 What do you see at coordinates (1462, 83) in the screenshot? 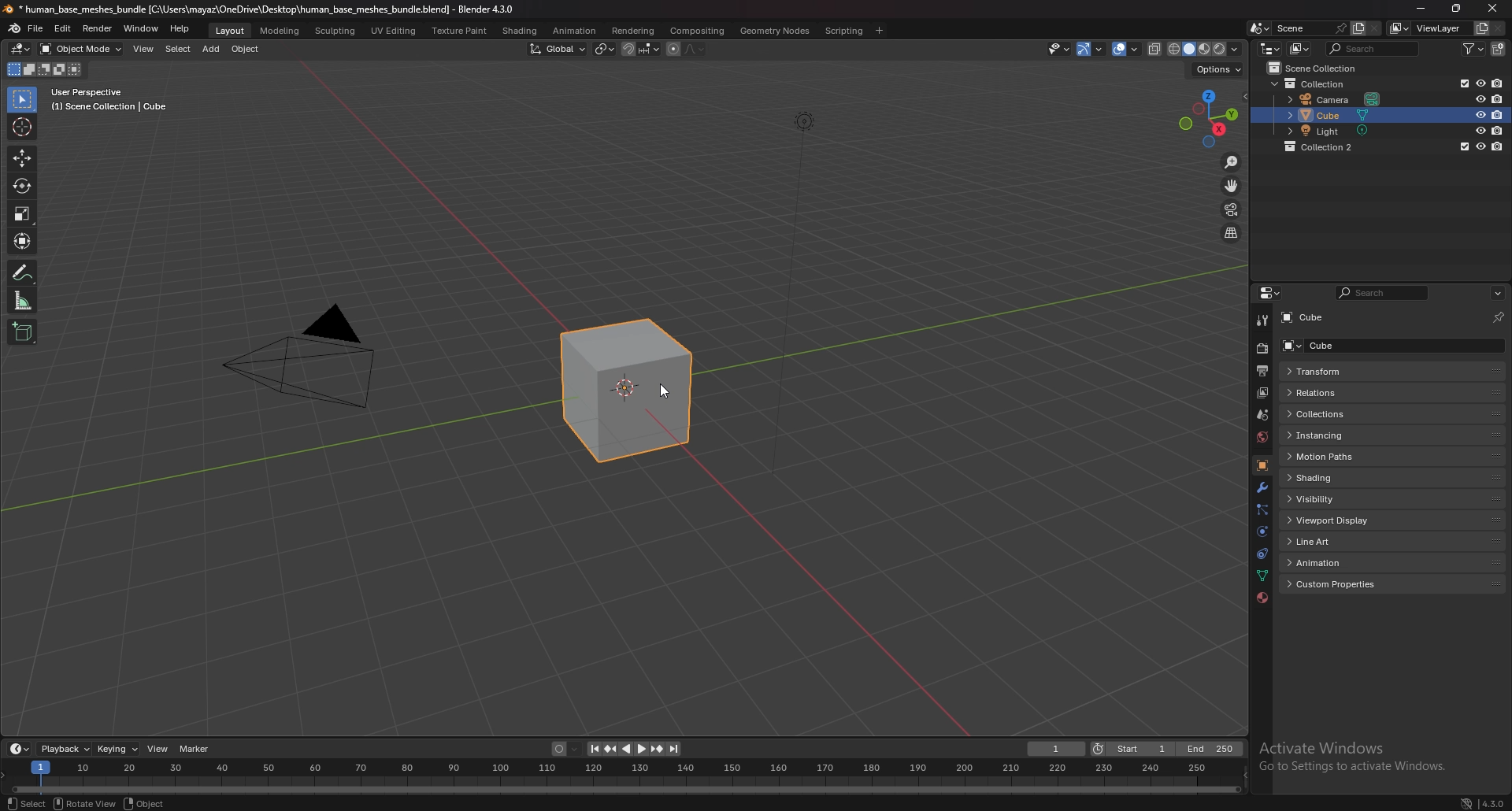
I see `exclude in viewport` at bounding box center [1462, 83].